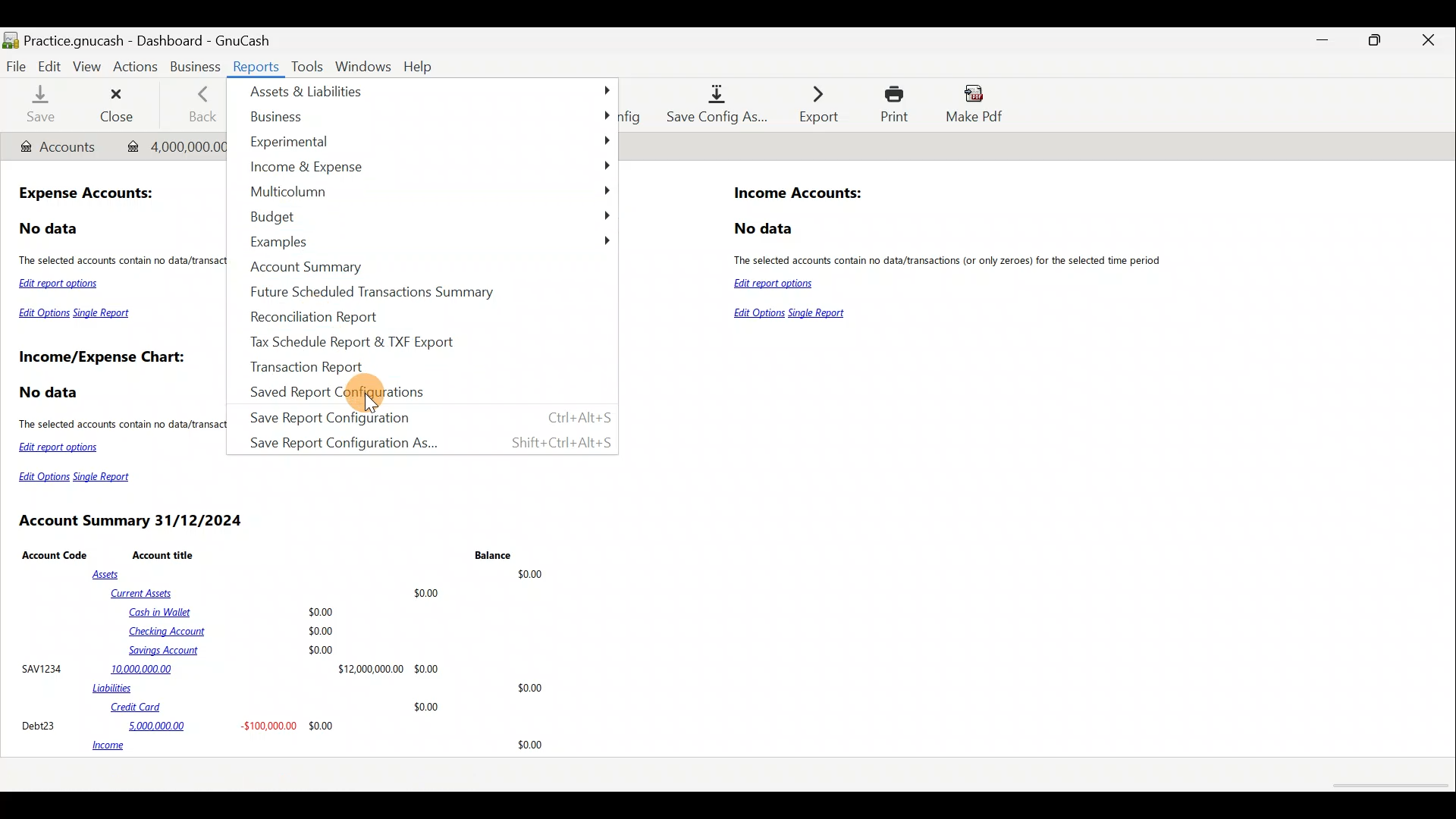 Image resolution: width=1456 pixels, height=819 pixels. What do you see at coordinates (322, 575) in the screenshot?
I see `Assets $0.00` at bounding box center [322, 575].